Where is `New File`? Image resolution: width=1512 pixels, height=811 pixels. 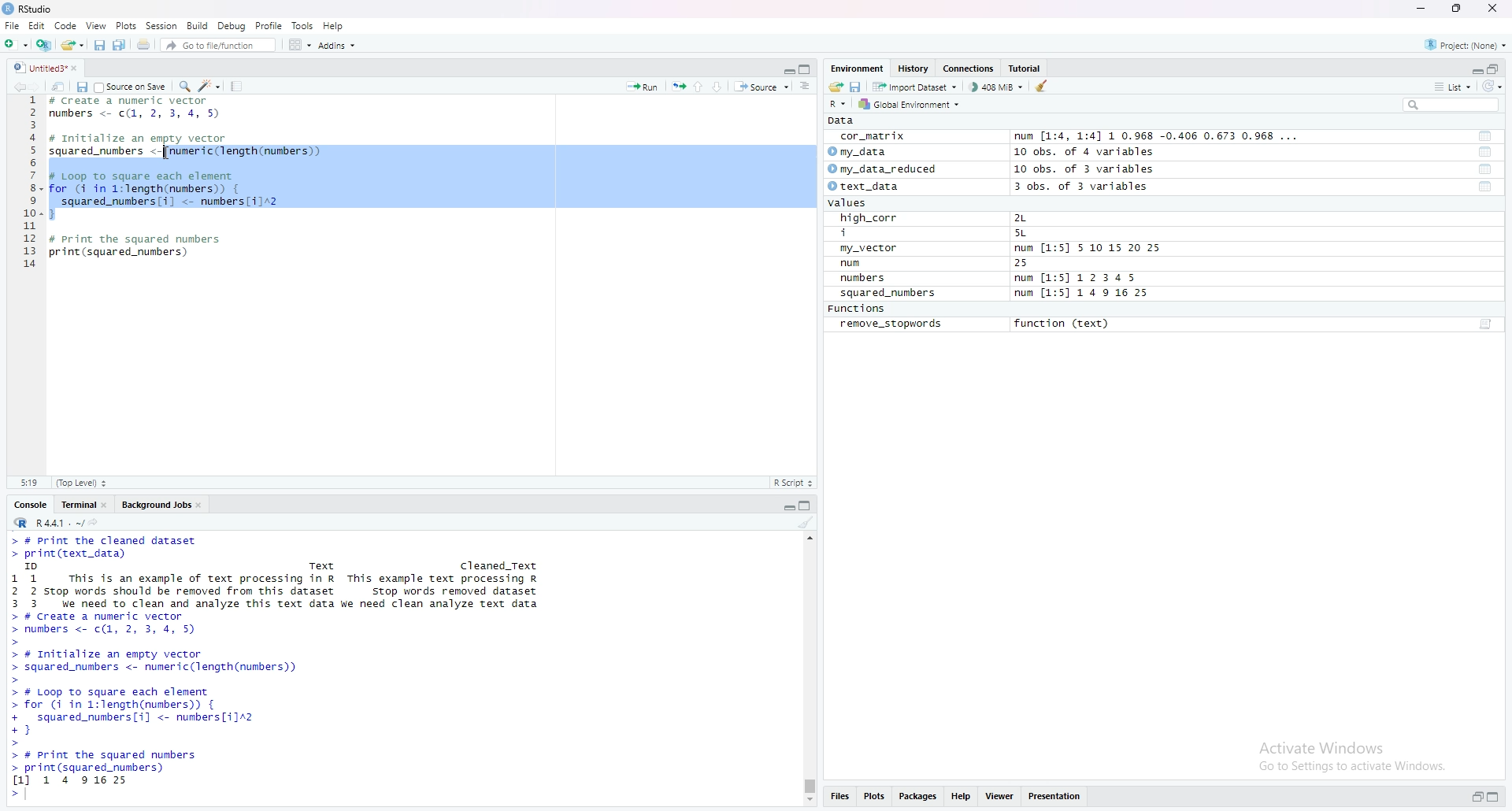 New File is located at coordinates (15, 43).